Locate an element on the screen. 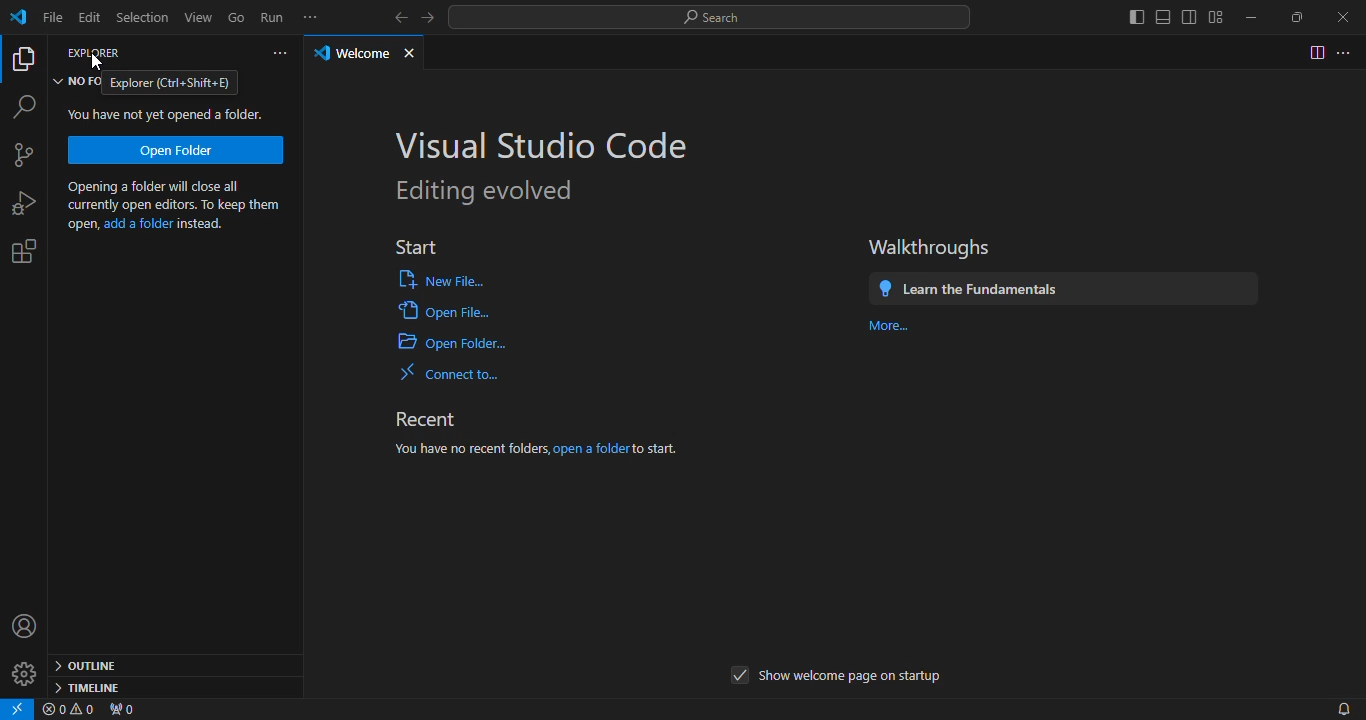 This screenshot has height=720, width=1366. show welcome page on startup is located at coordinates (836, 678).